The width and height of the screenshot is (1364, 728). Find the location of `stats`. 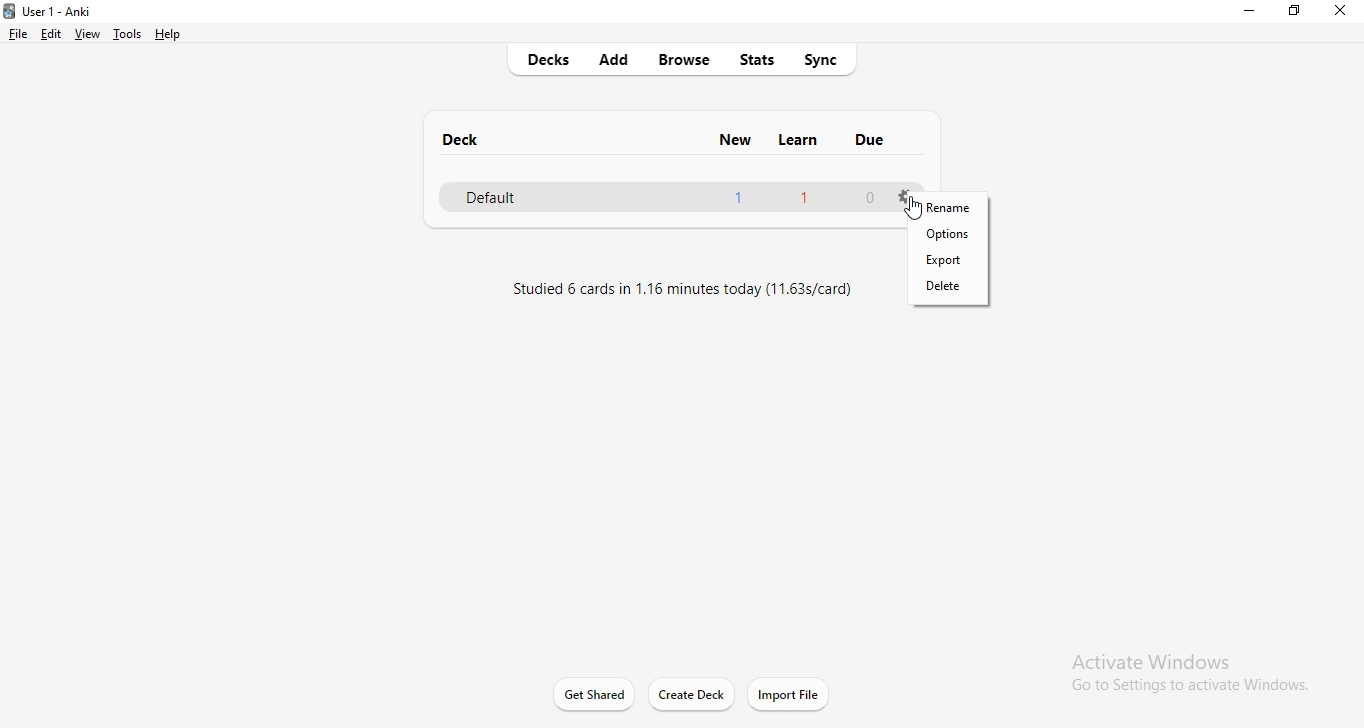

stats is located at coordinates (757, 59).